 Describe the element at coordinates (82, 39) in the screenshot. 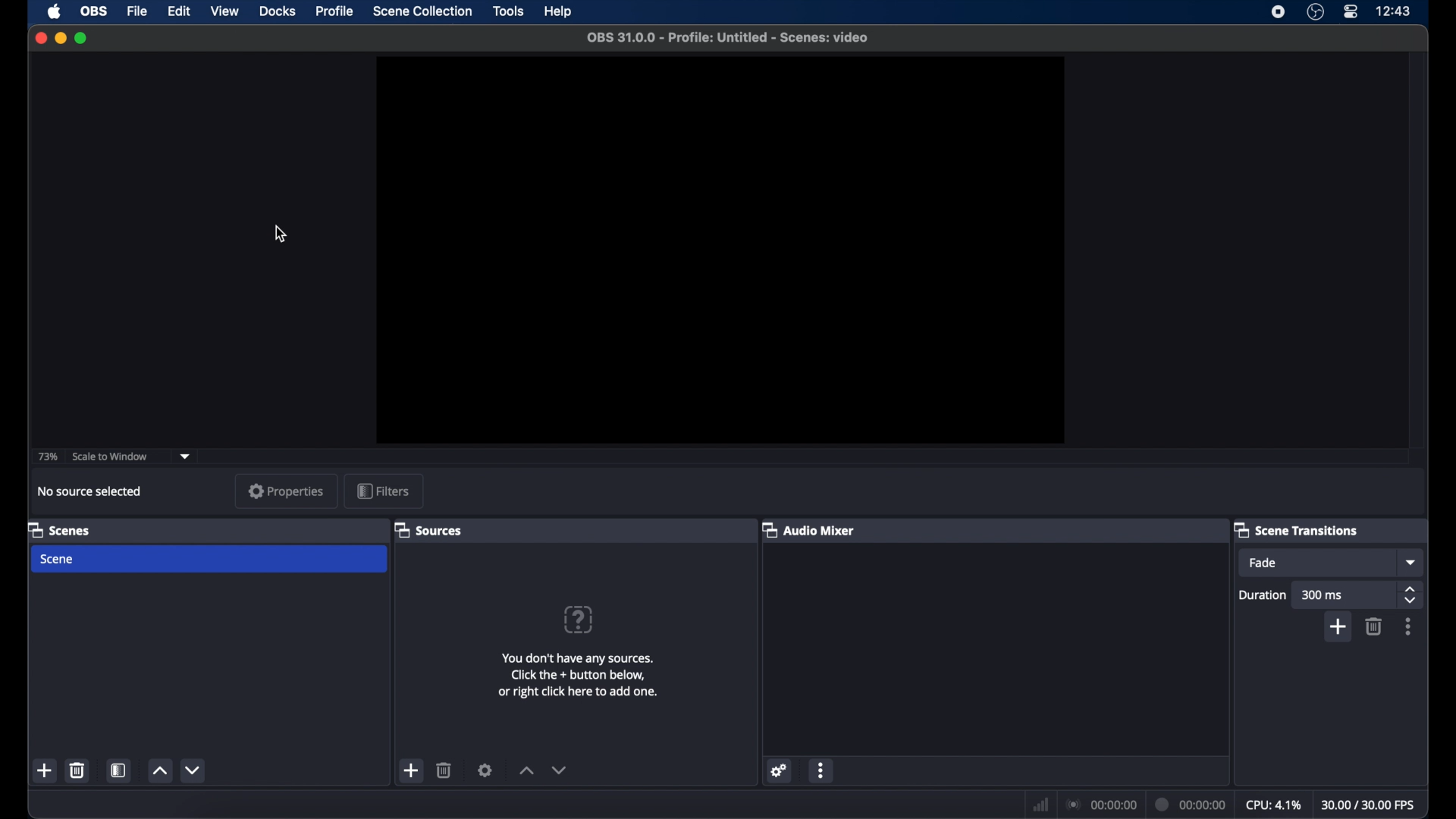

I see `maximize` at that location.